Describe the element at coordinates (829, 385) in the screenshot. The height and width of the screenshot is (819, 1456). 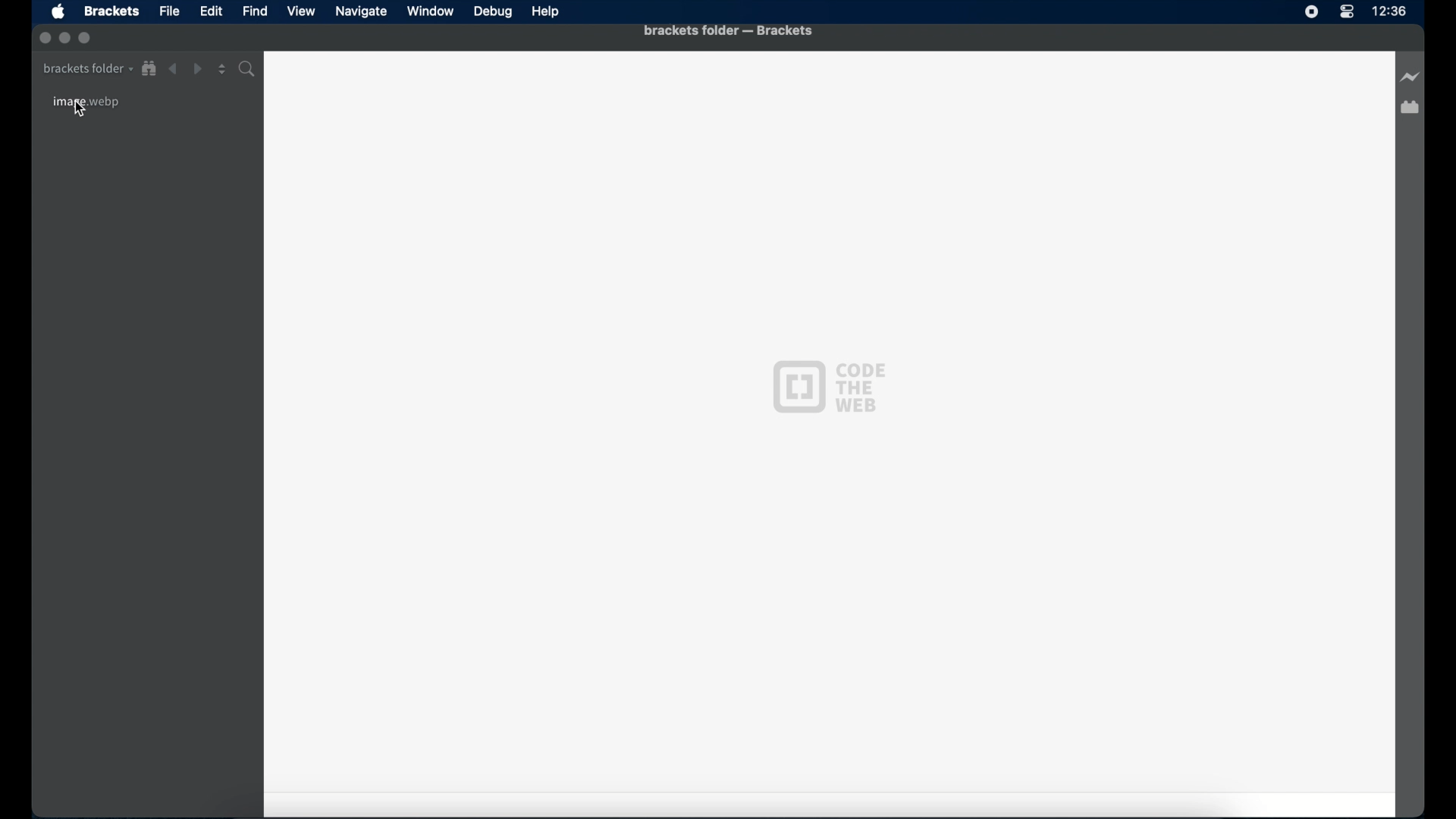
I see `code the web` at that location.